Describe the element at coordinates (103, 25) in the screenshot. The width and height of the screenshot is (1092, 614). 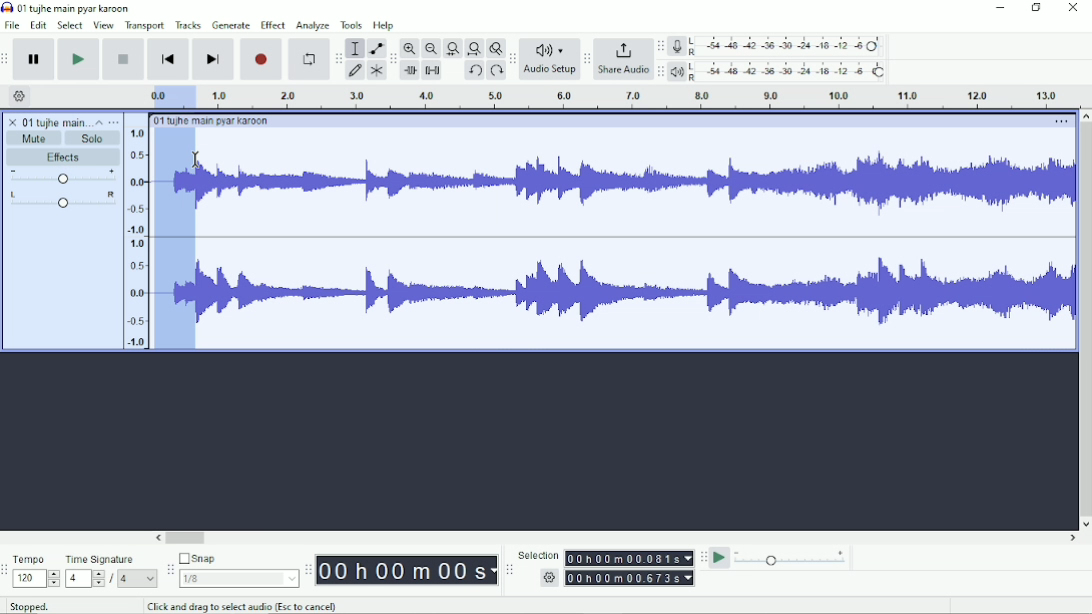
I see `View` at that location.